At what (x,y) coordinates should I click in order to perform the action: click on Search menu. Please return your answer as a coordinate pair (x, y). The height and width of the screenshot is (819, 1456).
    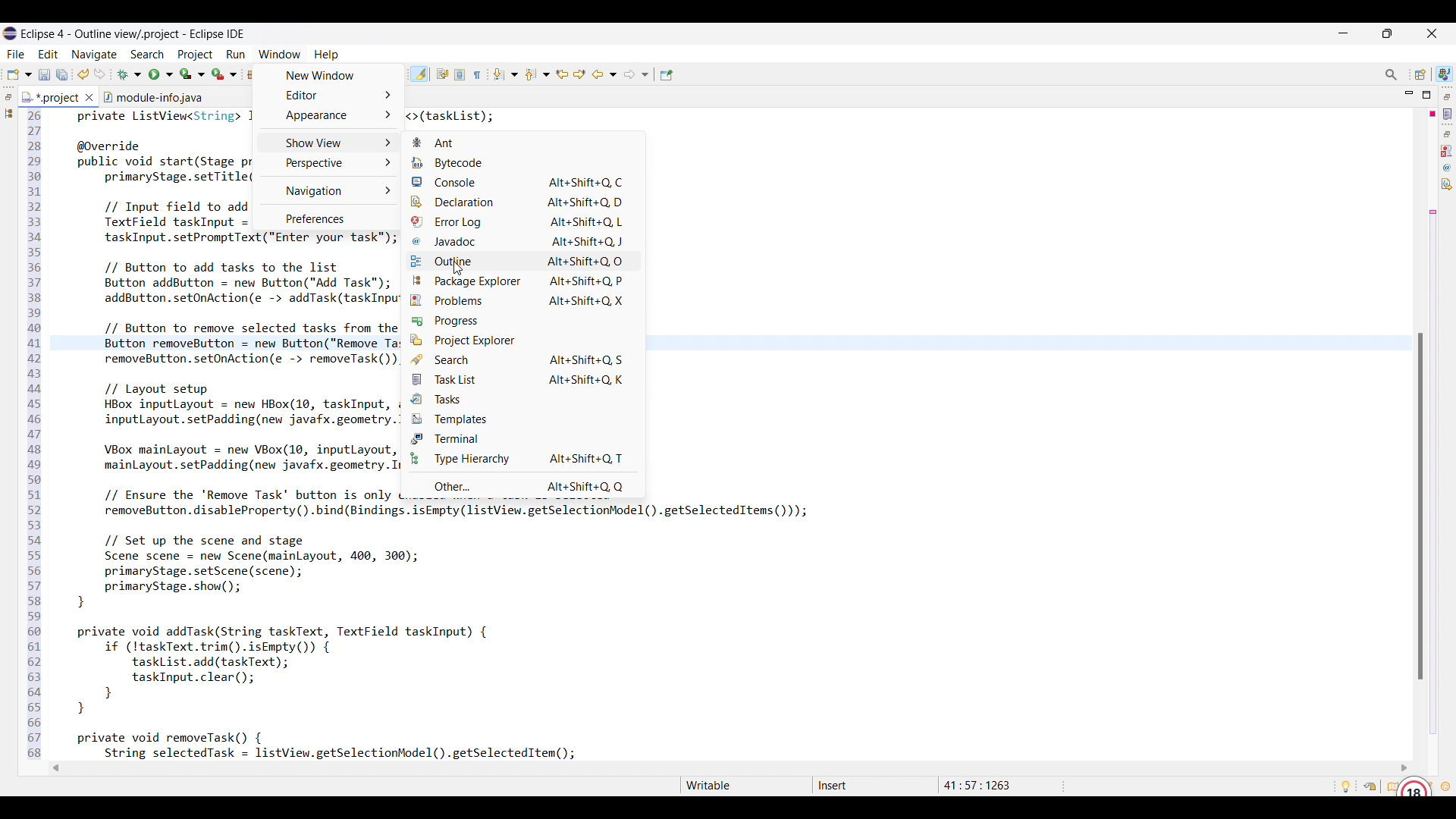
    Looking at the image, I should click on (148, 55).